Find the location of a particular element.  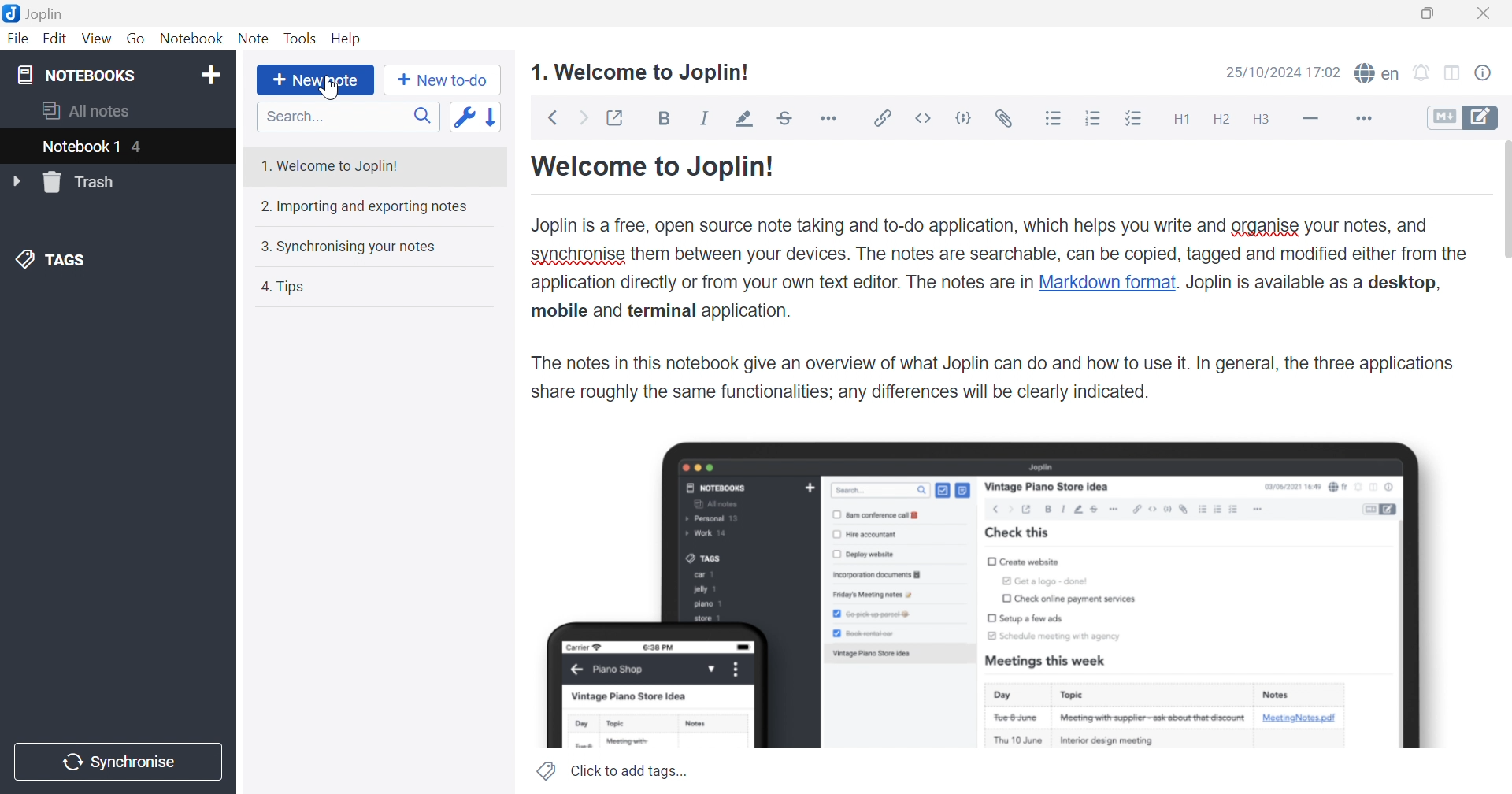

File is located at coordinates (18, 39).